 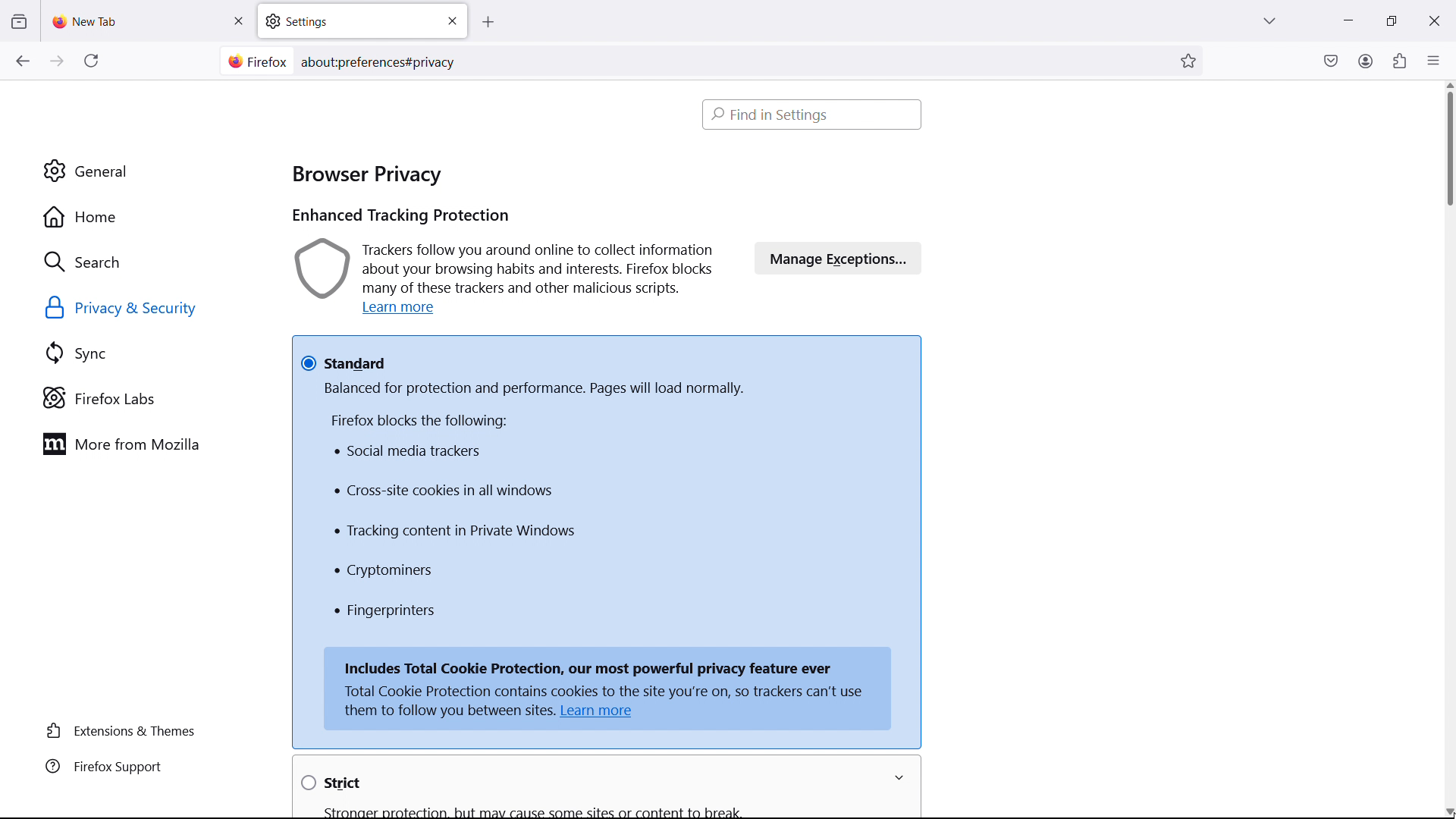 What do you see at coordinates (403, 309) in the screenshot?
I see `learn more about tracking protection` at bounding box center [403, 309].